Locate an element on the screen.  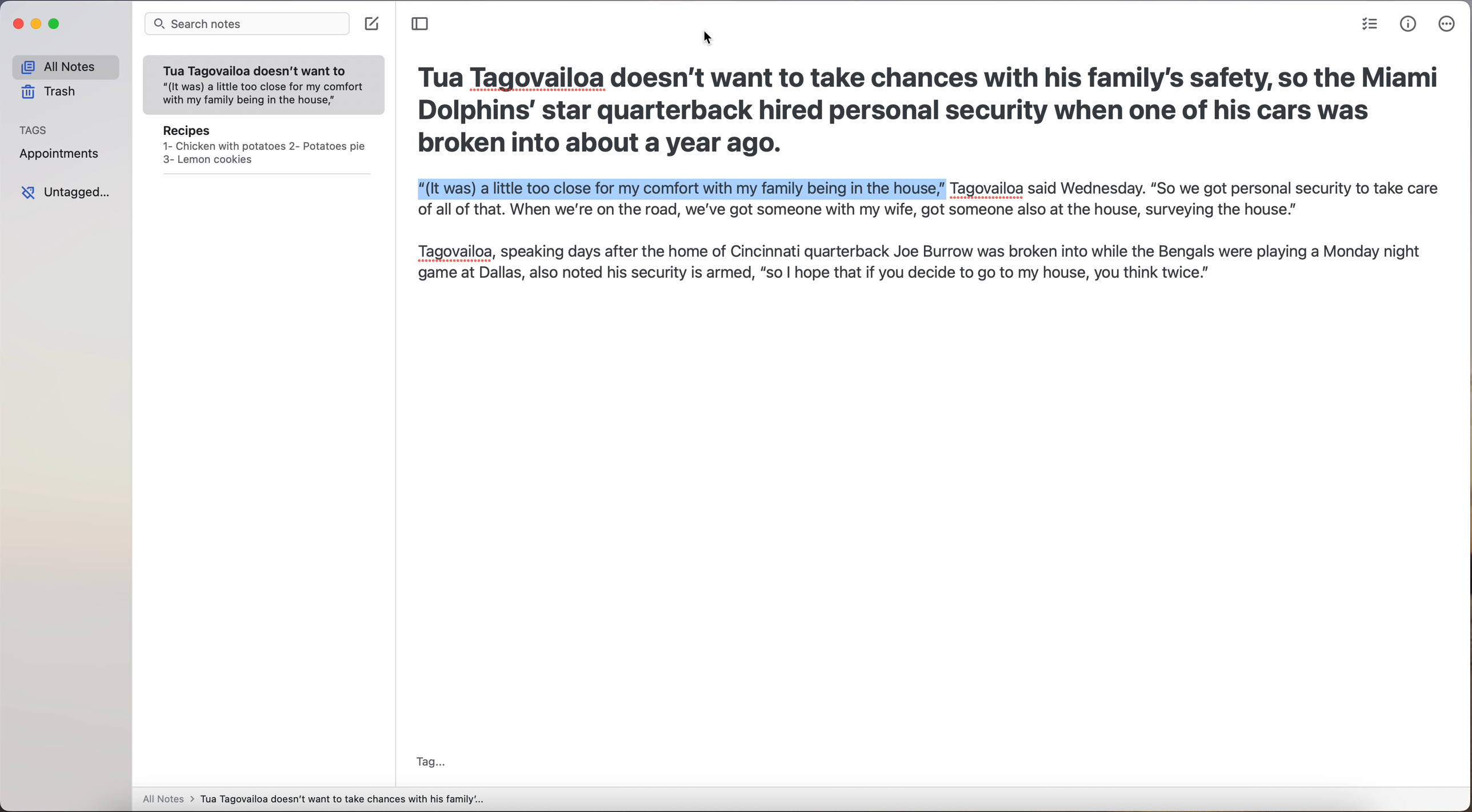
Recipes note is located at coordinates (264, 149).